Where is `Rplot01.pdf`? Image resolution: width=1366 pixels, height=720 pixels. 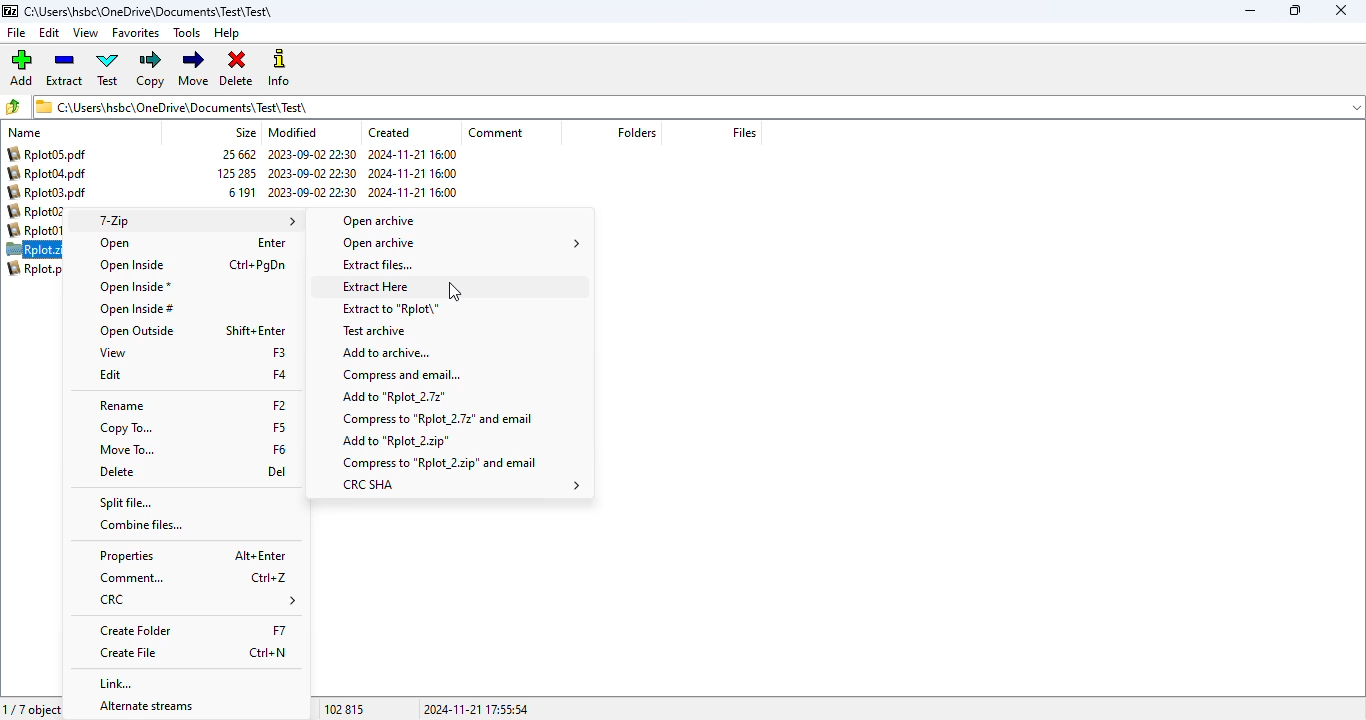
Rplot01.pdf is located at coordinates (39, 231).